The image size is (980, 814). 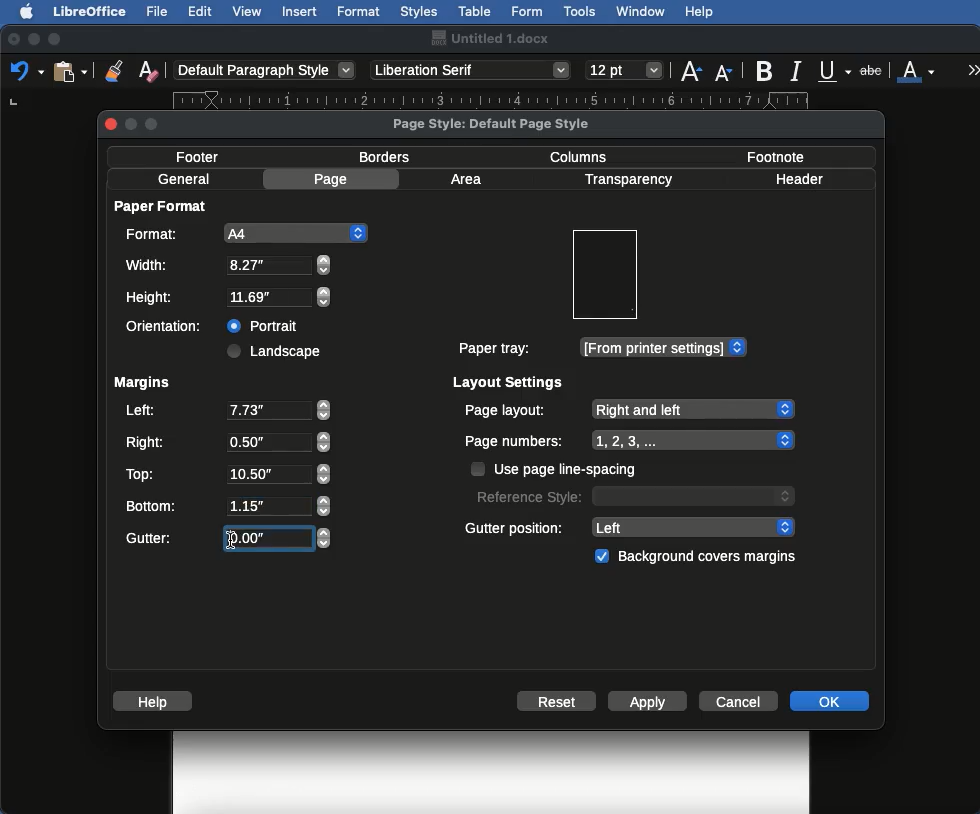 I want to click on OK, so click(x=829, y=700).